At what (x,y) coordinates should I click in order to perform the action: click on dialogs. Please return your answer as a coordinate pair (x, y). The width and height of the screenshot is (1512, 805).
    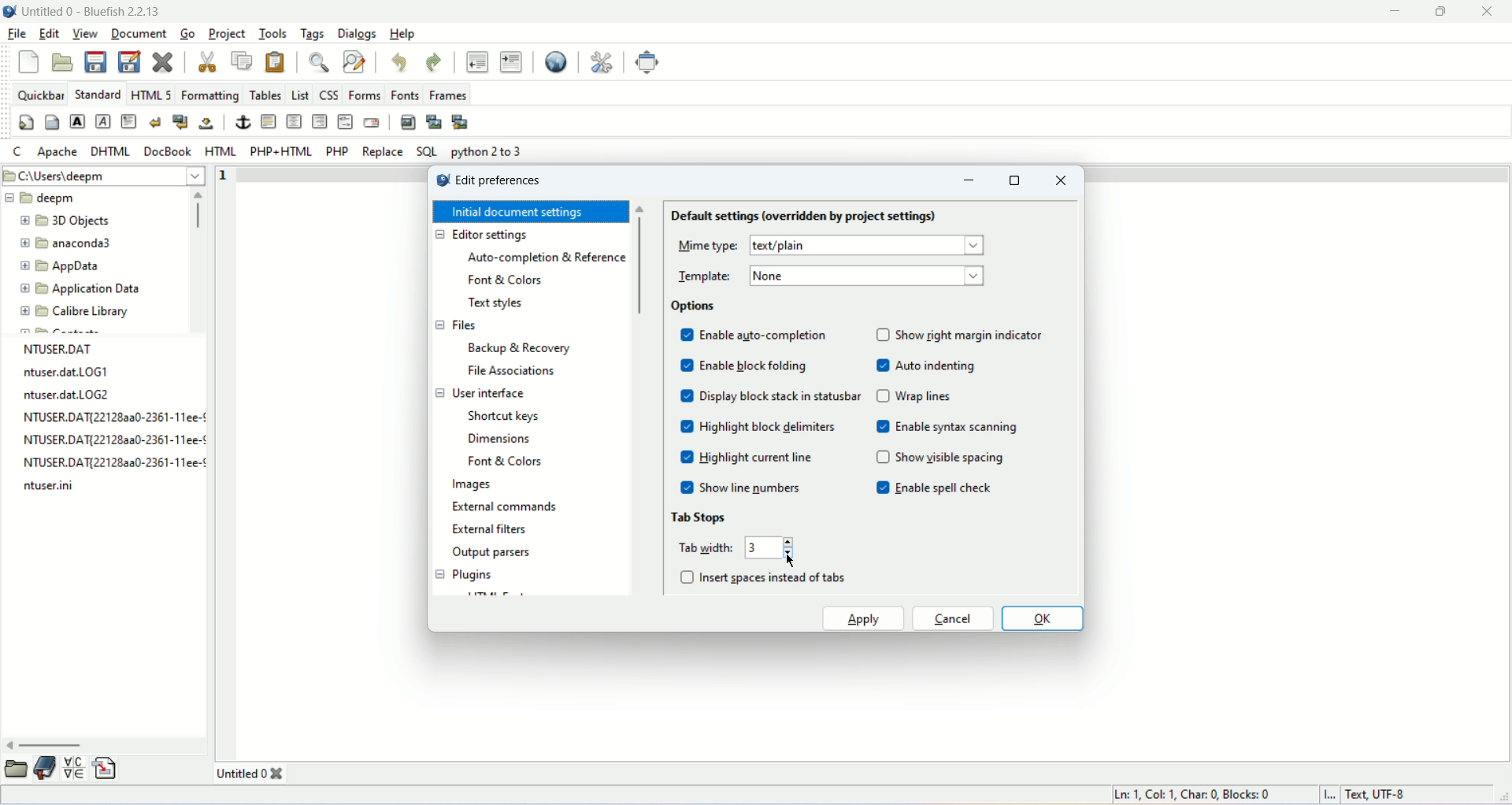
    Looking at the image, I should click on (358, 33).